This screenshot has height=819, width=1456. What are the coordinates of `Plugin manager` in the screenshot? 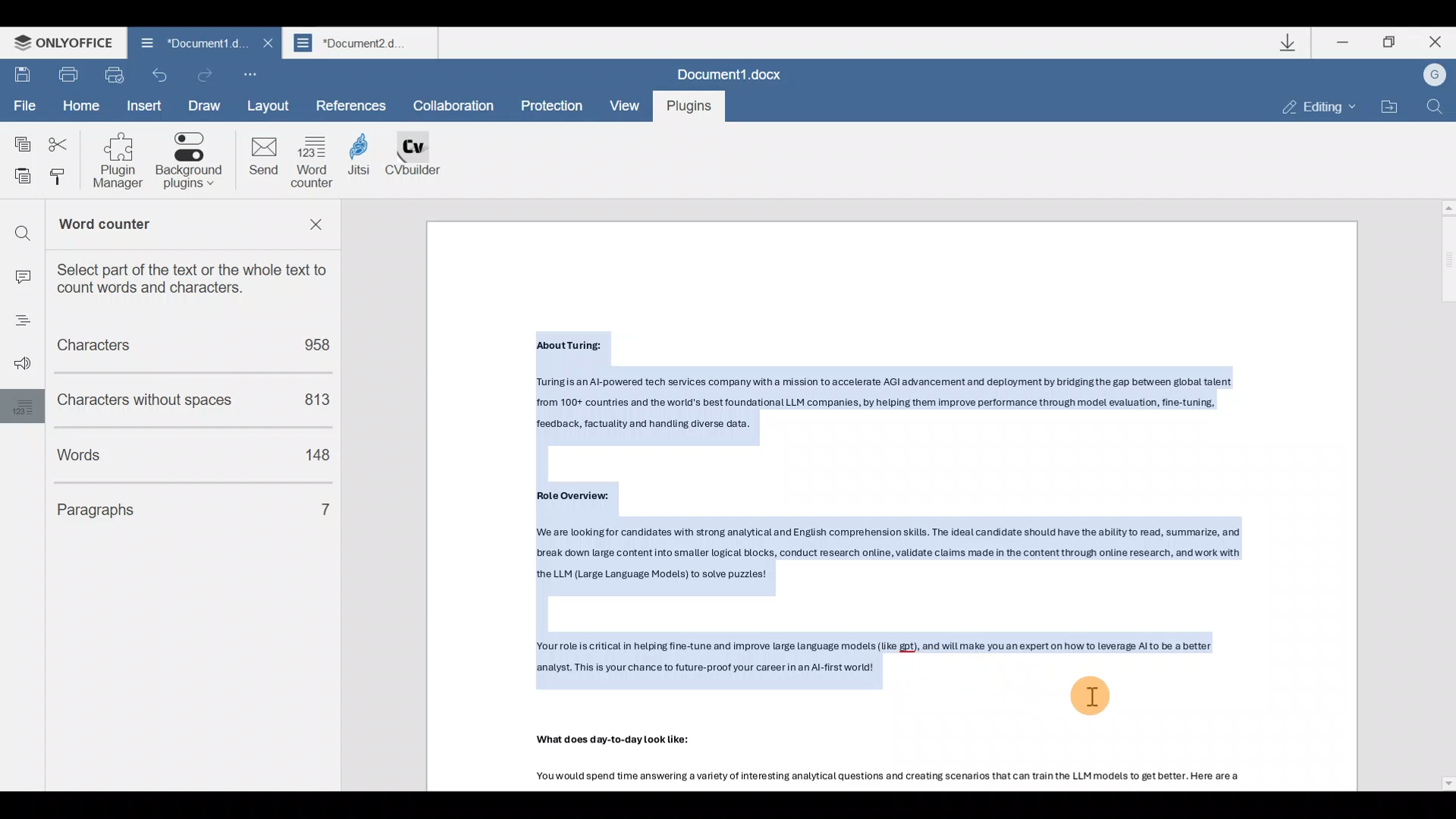 It's located at (124, 161).